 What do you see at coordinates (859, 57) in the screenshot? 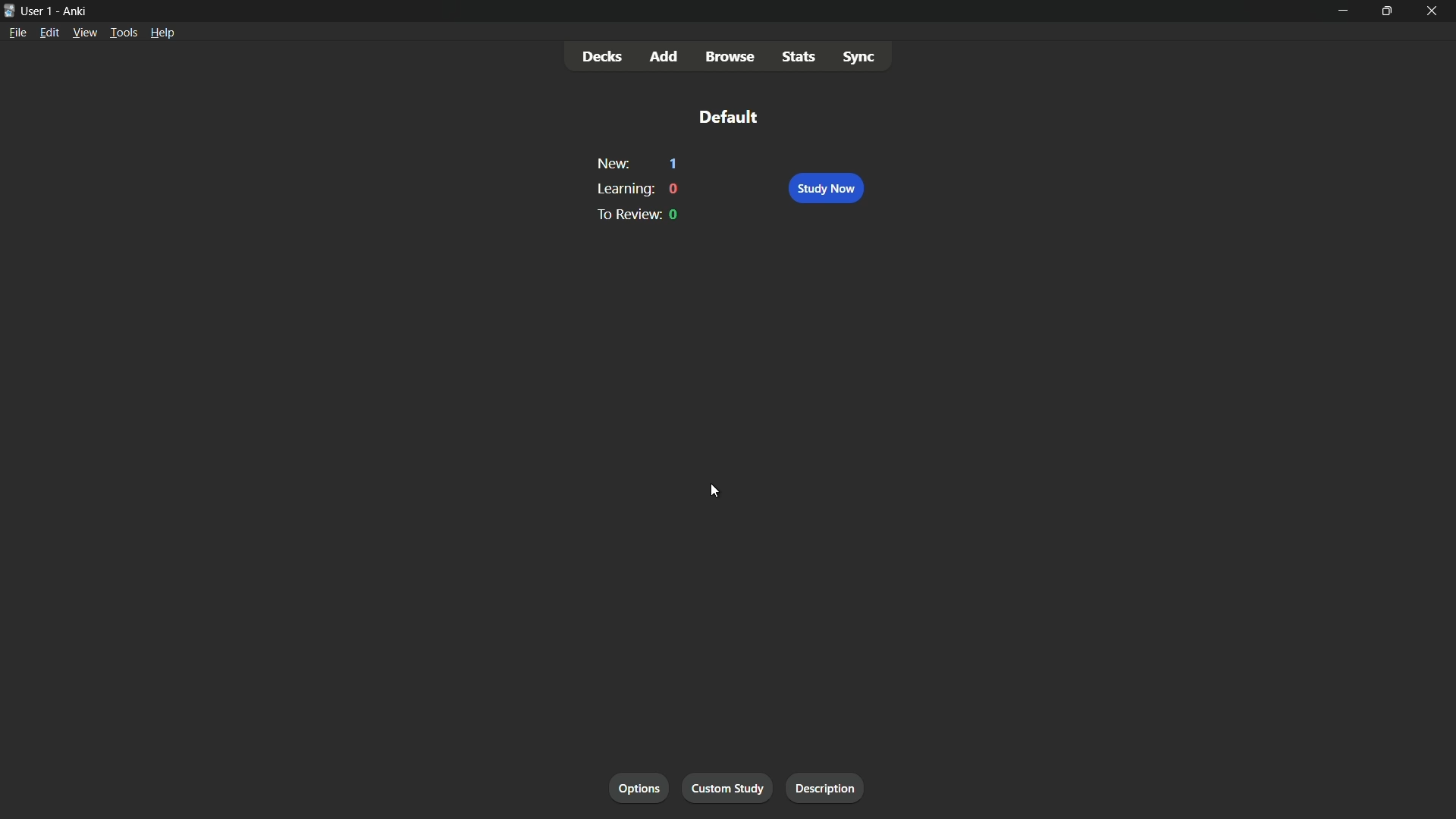
I see `sync` at bounding box center [859, 57].